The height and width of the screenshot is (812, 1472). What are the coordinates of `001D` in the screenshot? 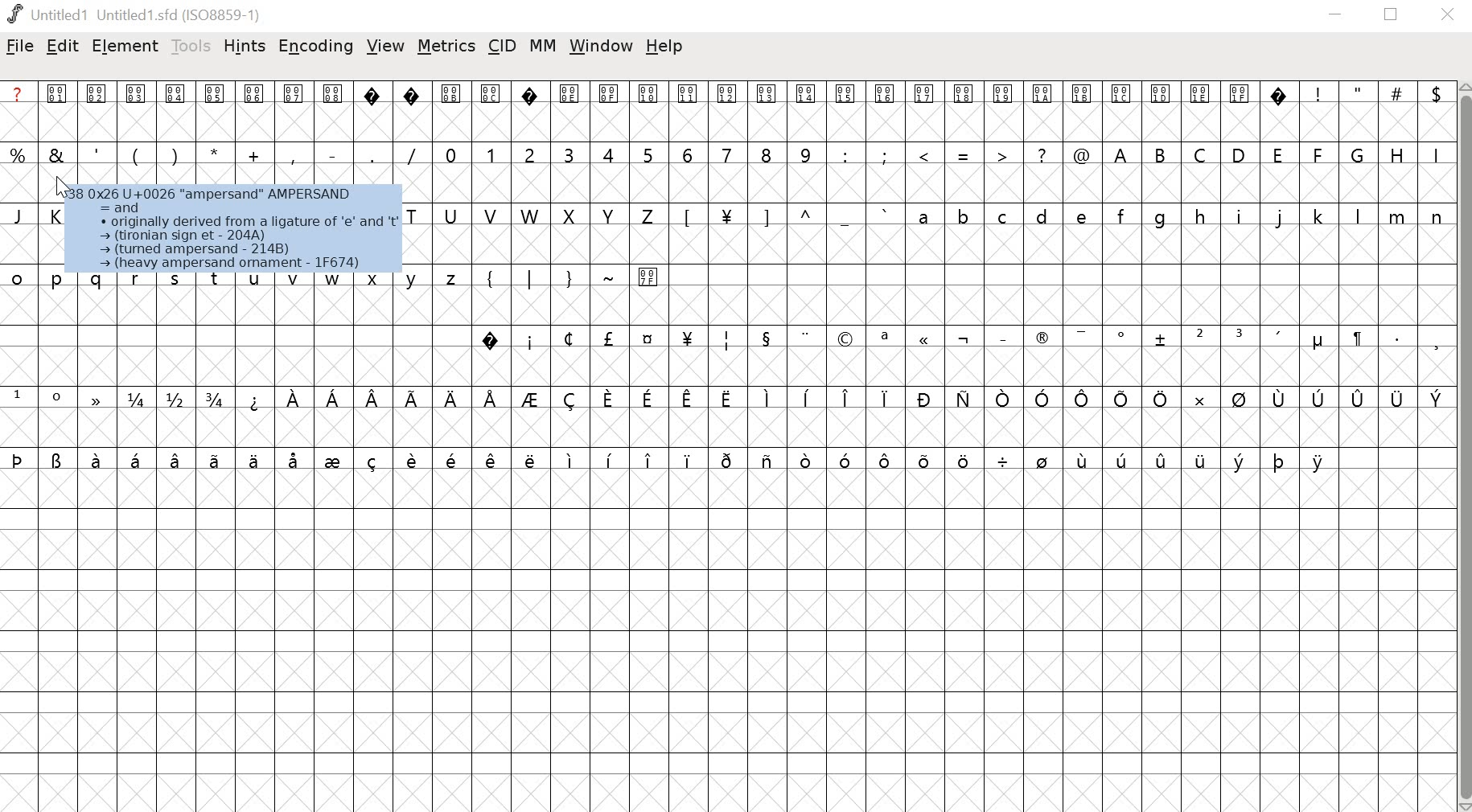 It's located at (1162, 112).